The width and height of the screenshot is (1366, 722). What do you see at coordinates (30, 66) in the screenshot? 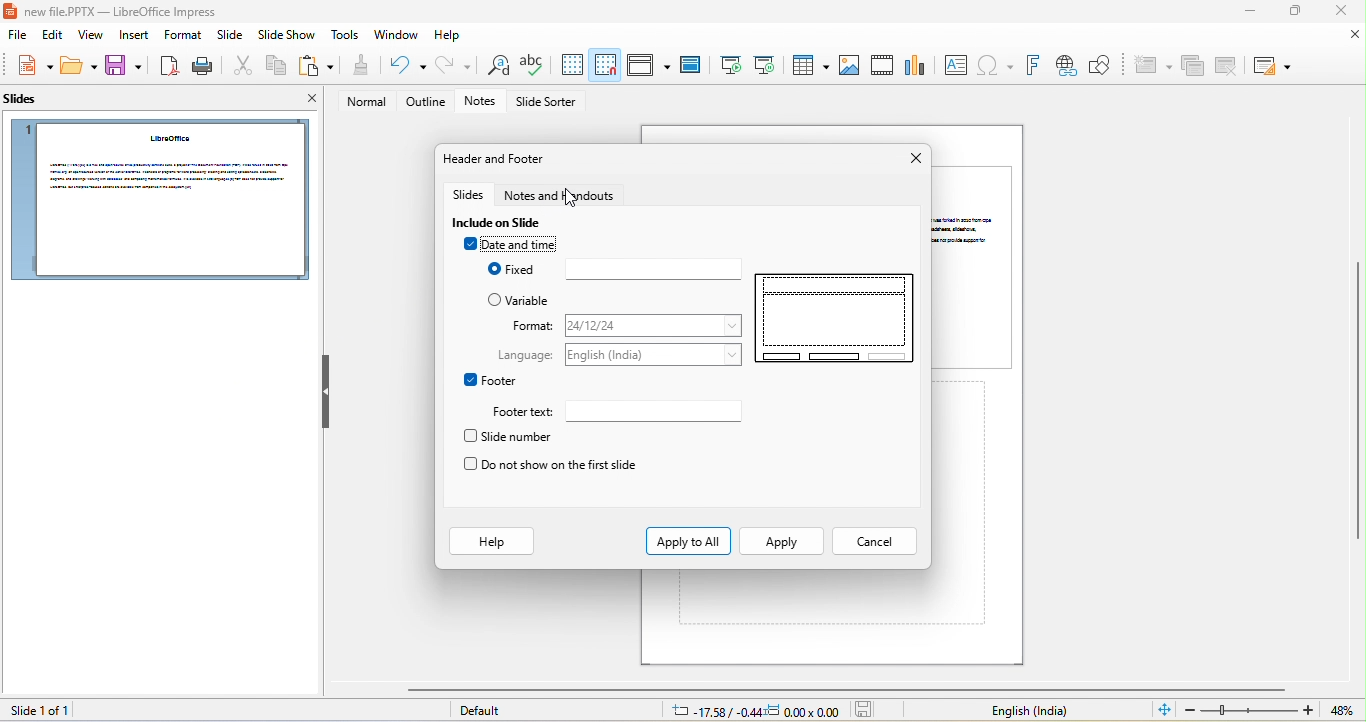
I see `new` at bounding box center [30, 66].